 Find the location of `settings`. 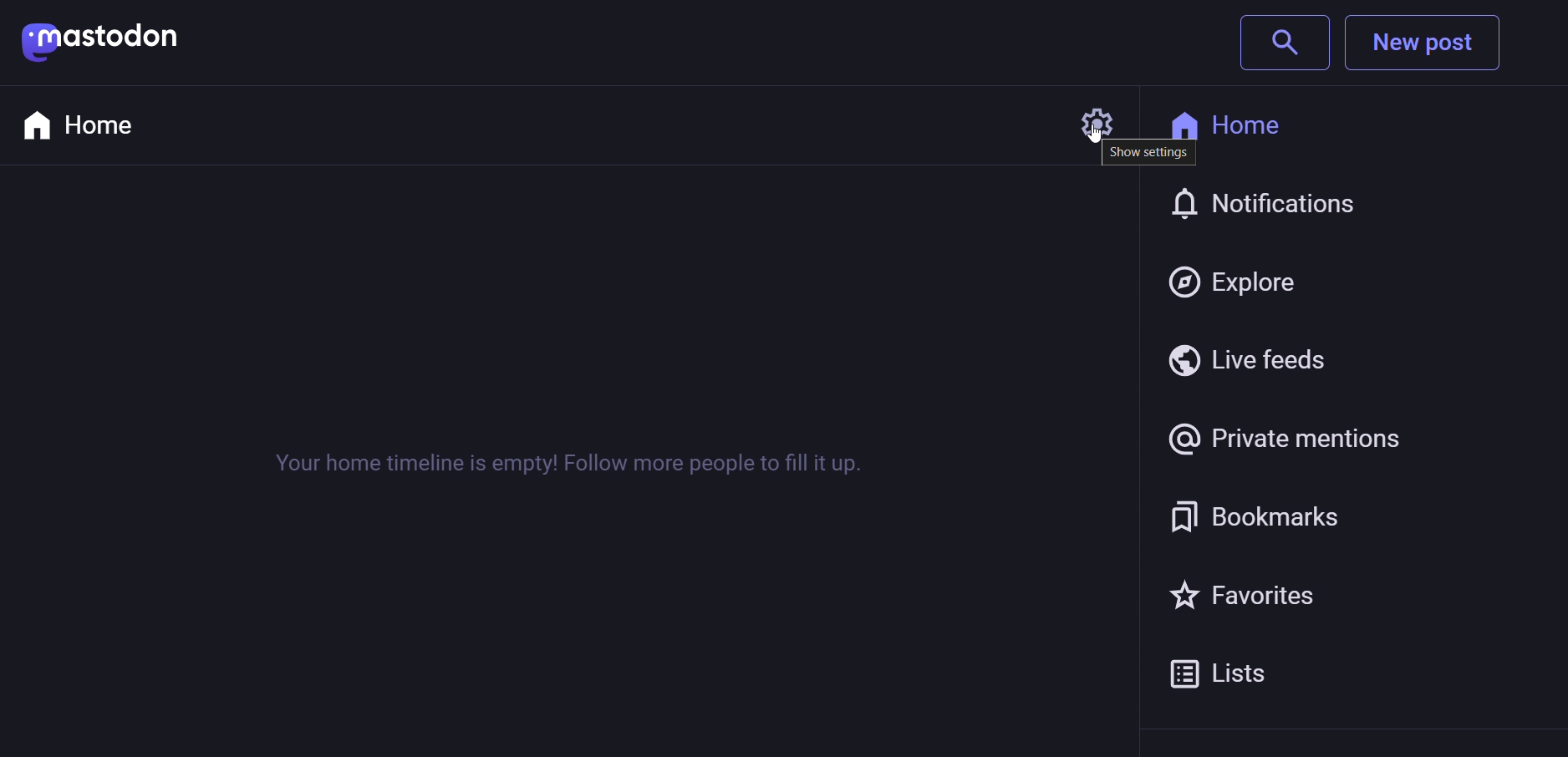

settings is located at coordinates (1082, 118).